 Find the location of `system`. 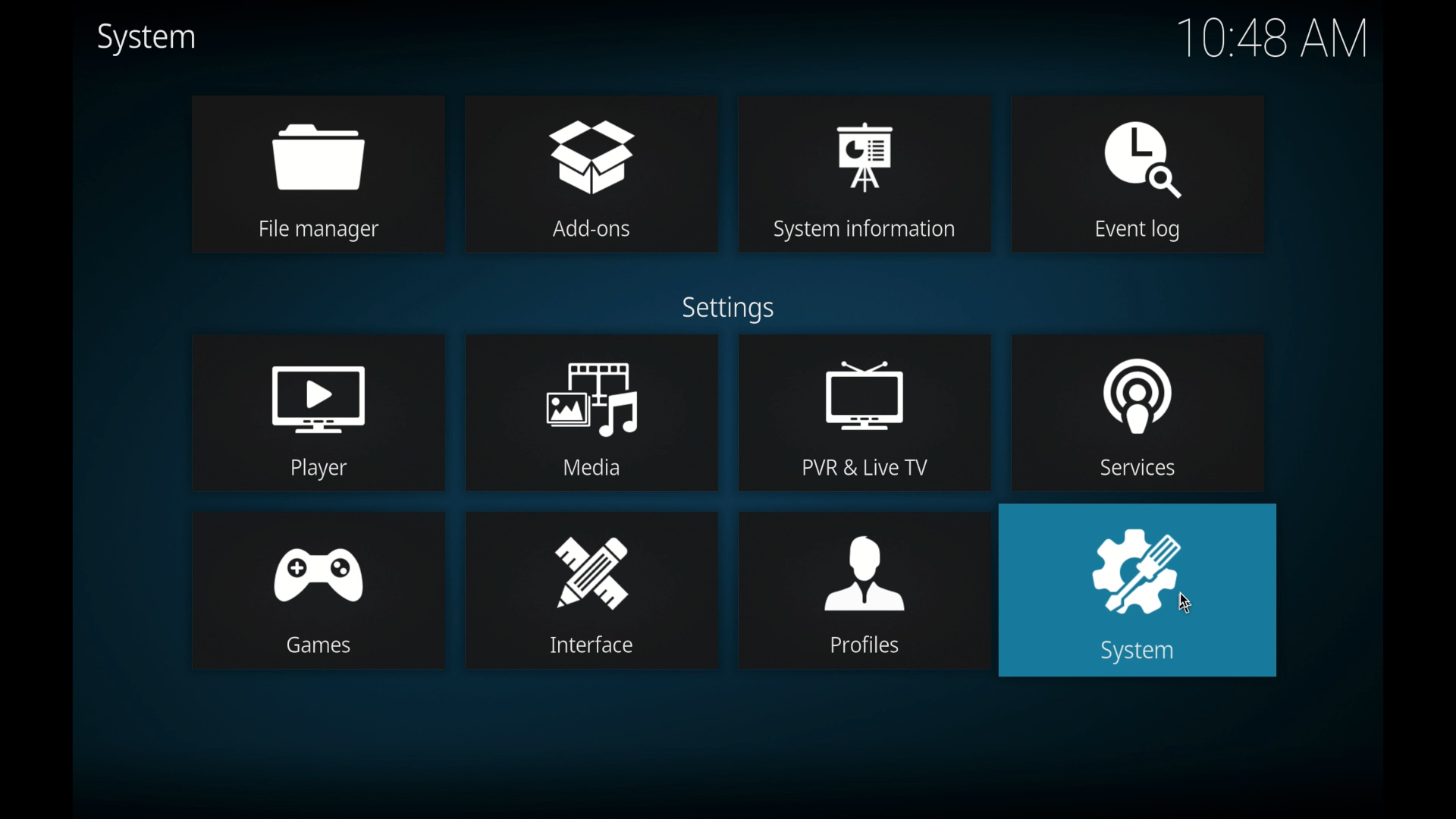

system is located at coordinates (149, 39).